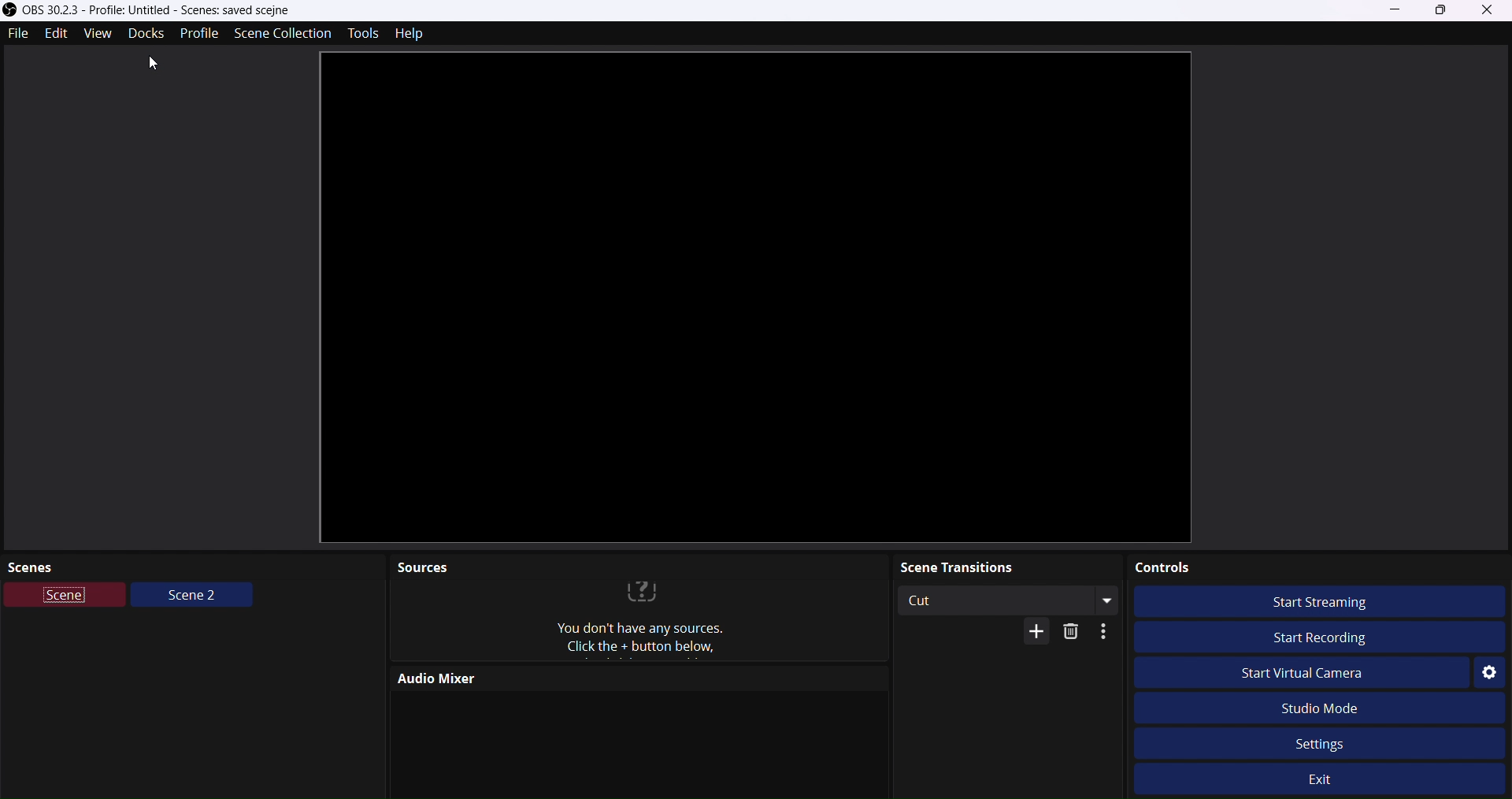 The image size is (1512, 799). Describe the element at coordinates (1320, 741) in the screenshot. I see `Settings` at that location.